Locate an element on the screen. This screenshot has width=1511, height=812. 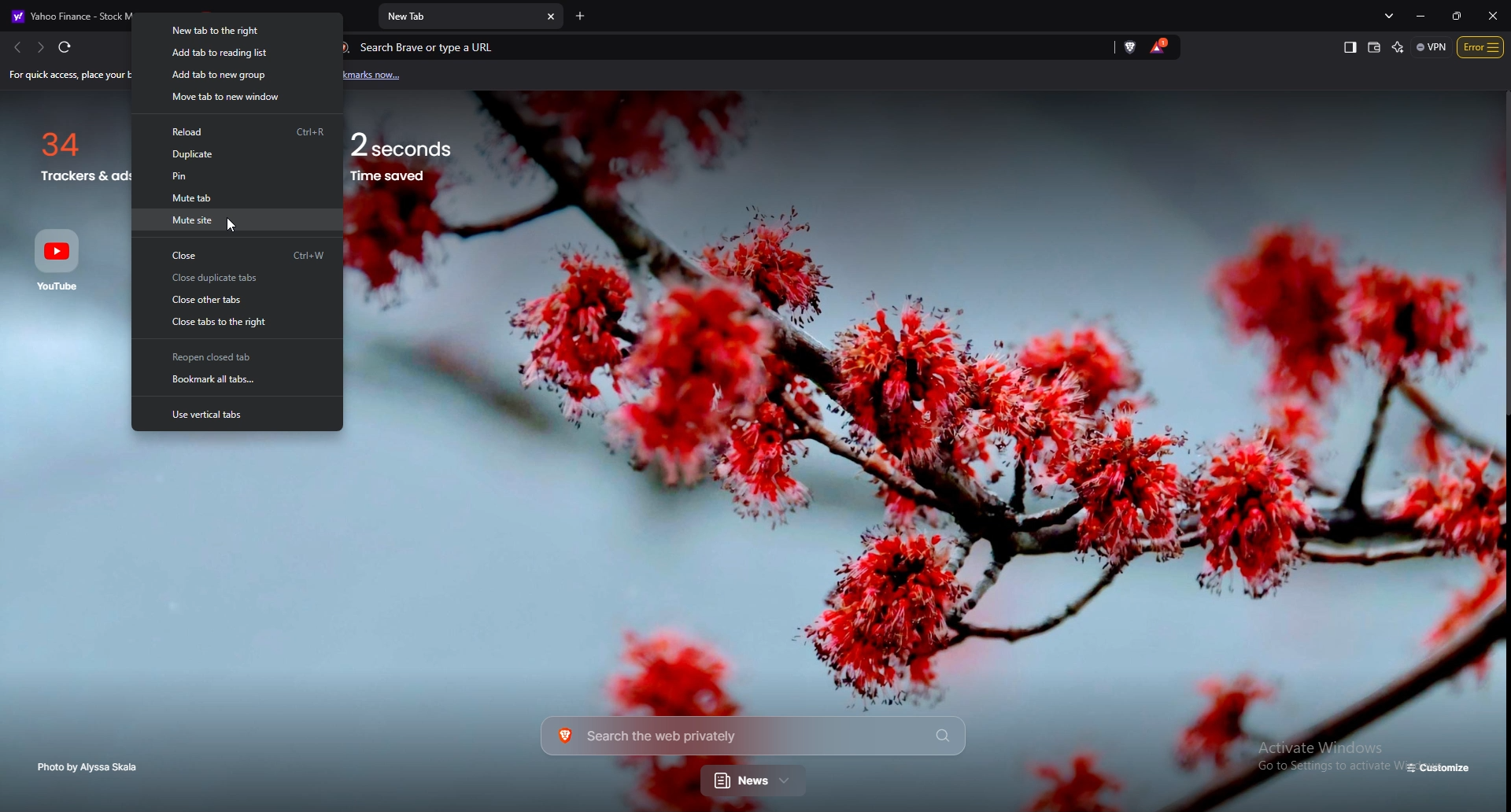
reopen closed tab is located at coordinates (236, 357).